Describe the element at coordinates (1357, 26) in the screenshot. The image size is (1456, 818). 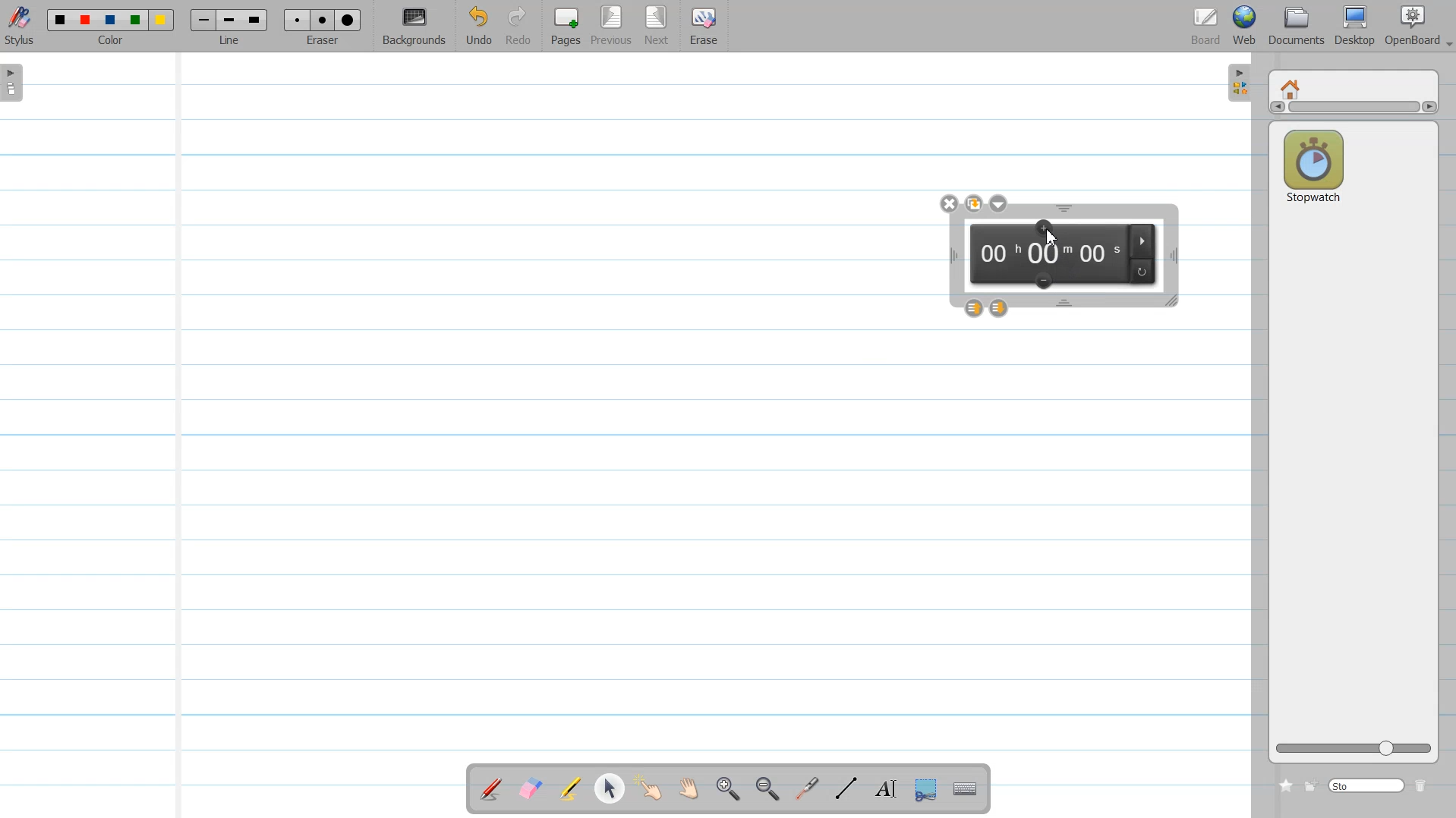
I see `Desktop` at that location.